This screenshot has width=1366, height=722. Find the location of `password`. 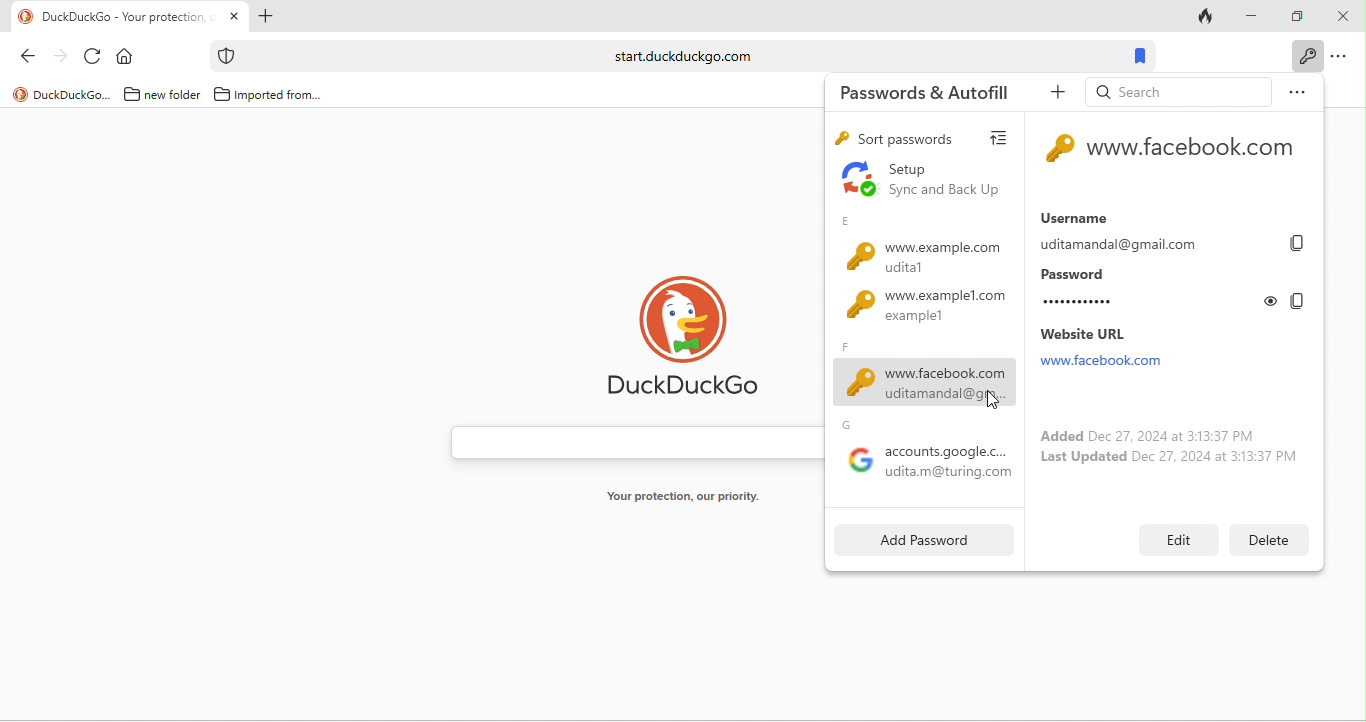

password is located at coordinates (1144, 290).